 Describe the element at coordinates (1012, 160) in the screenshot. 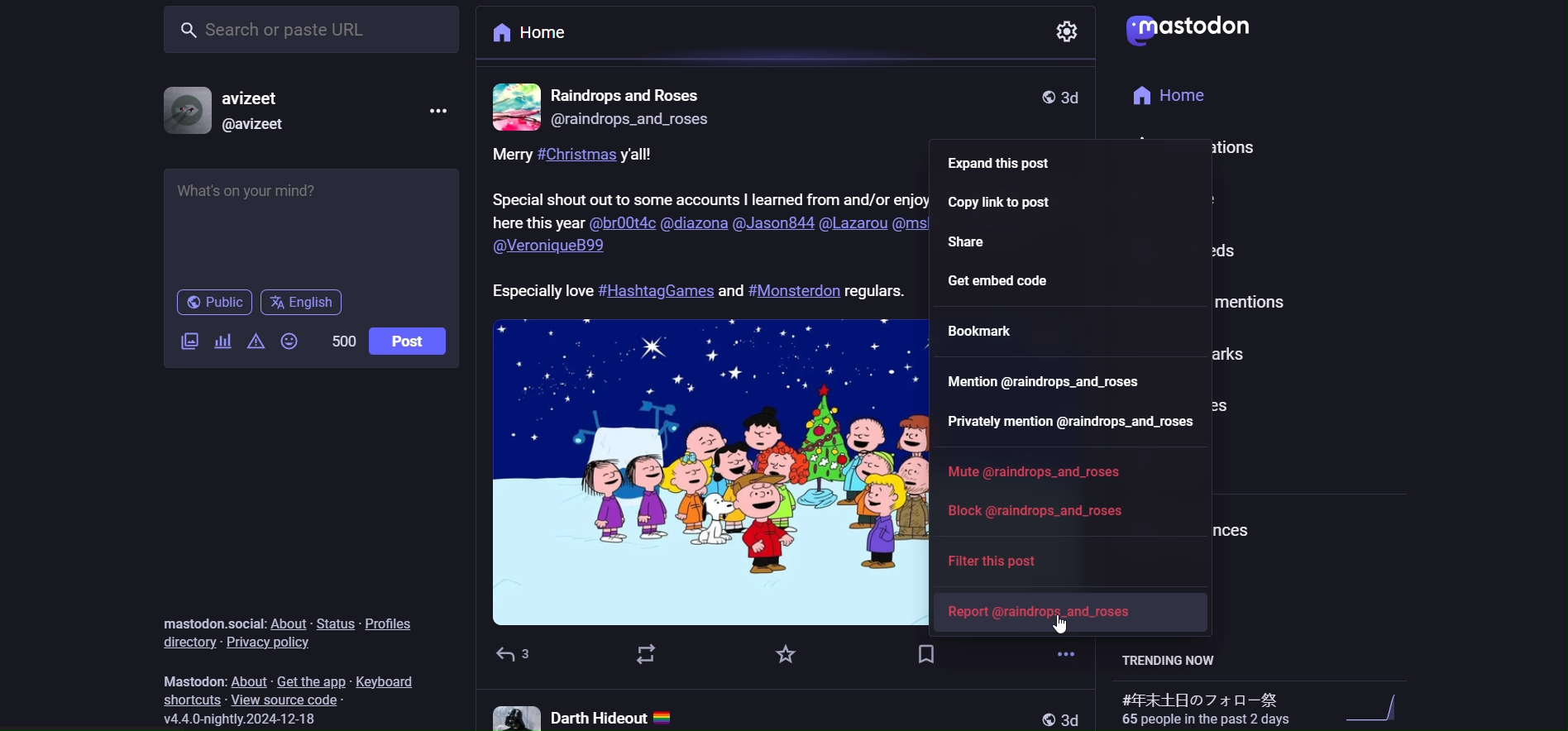

I see `expand this post` at that location.